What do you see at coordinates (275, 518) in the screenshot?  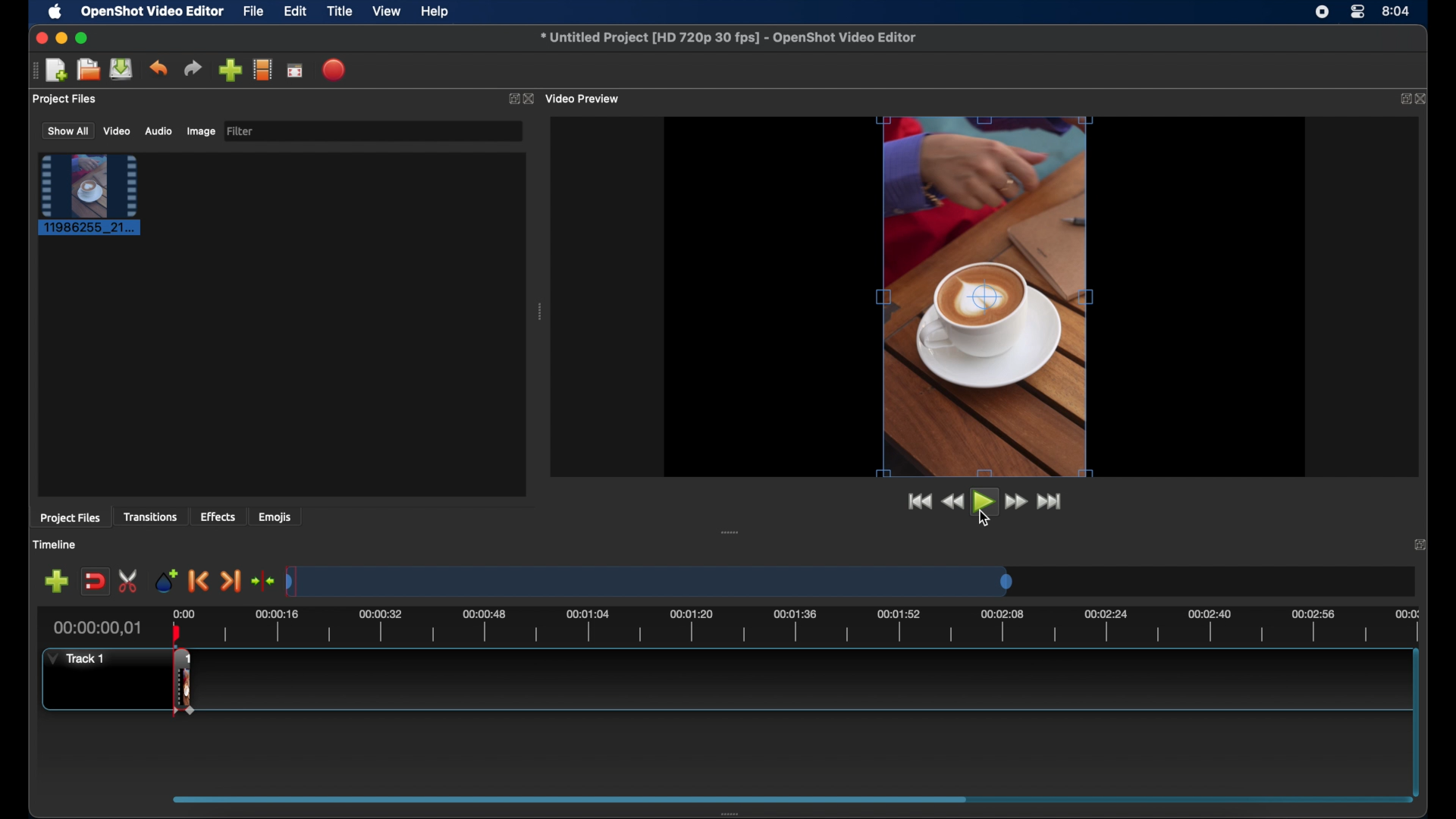 I see `emojis` at bounding box center [275, 518].